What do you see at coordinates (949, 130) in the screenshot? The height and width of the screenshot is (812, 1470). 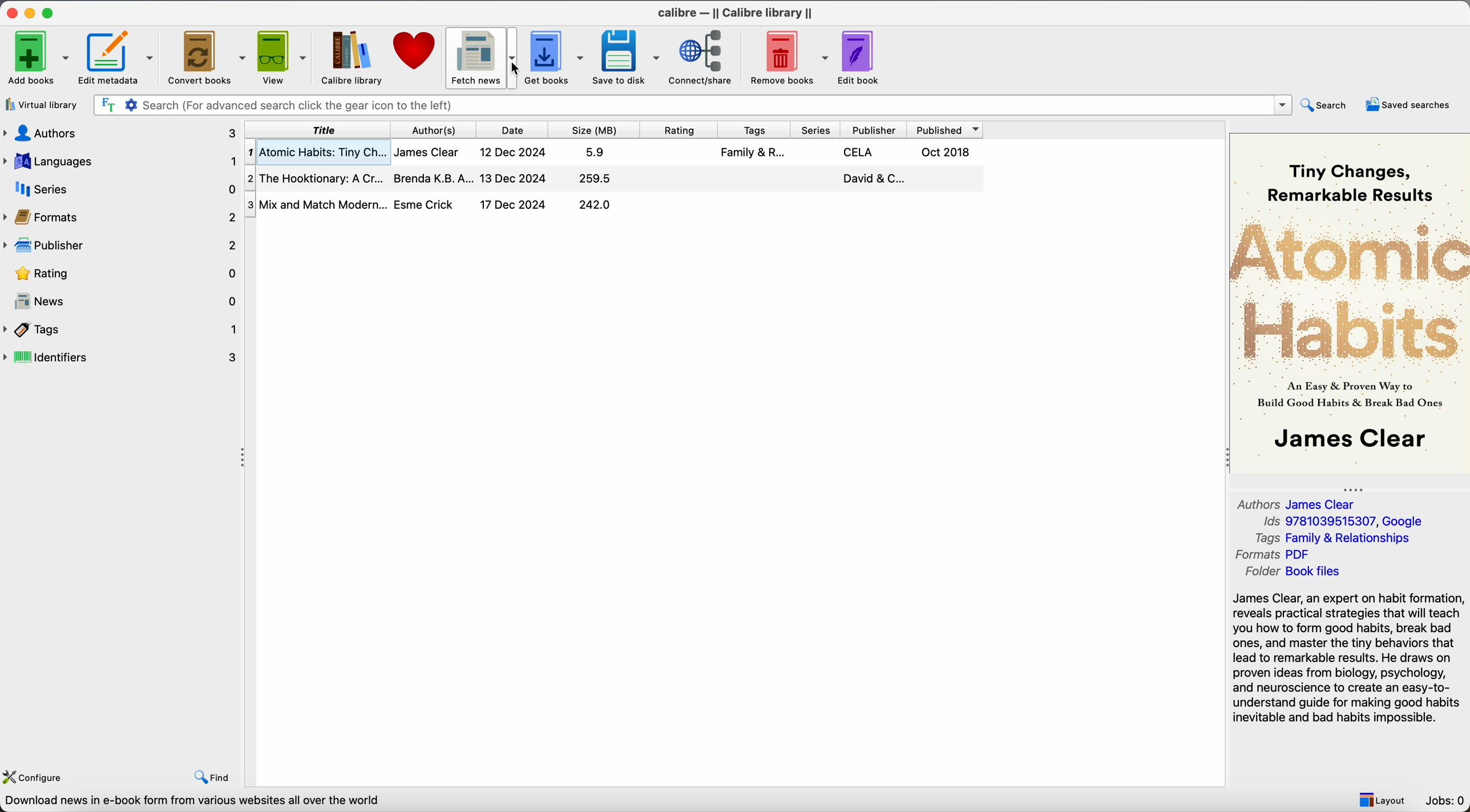 I see `published` at bounding box center [949, 130].